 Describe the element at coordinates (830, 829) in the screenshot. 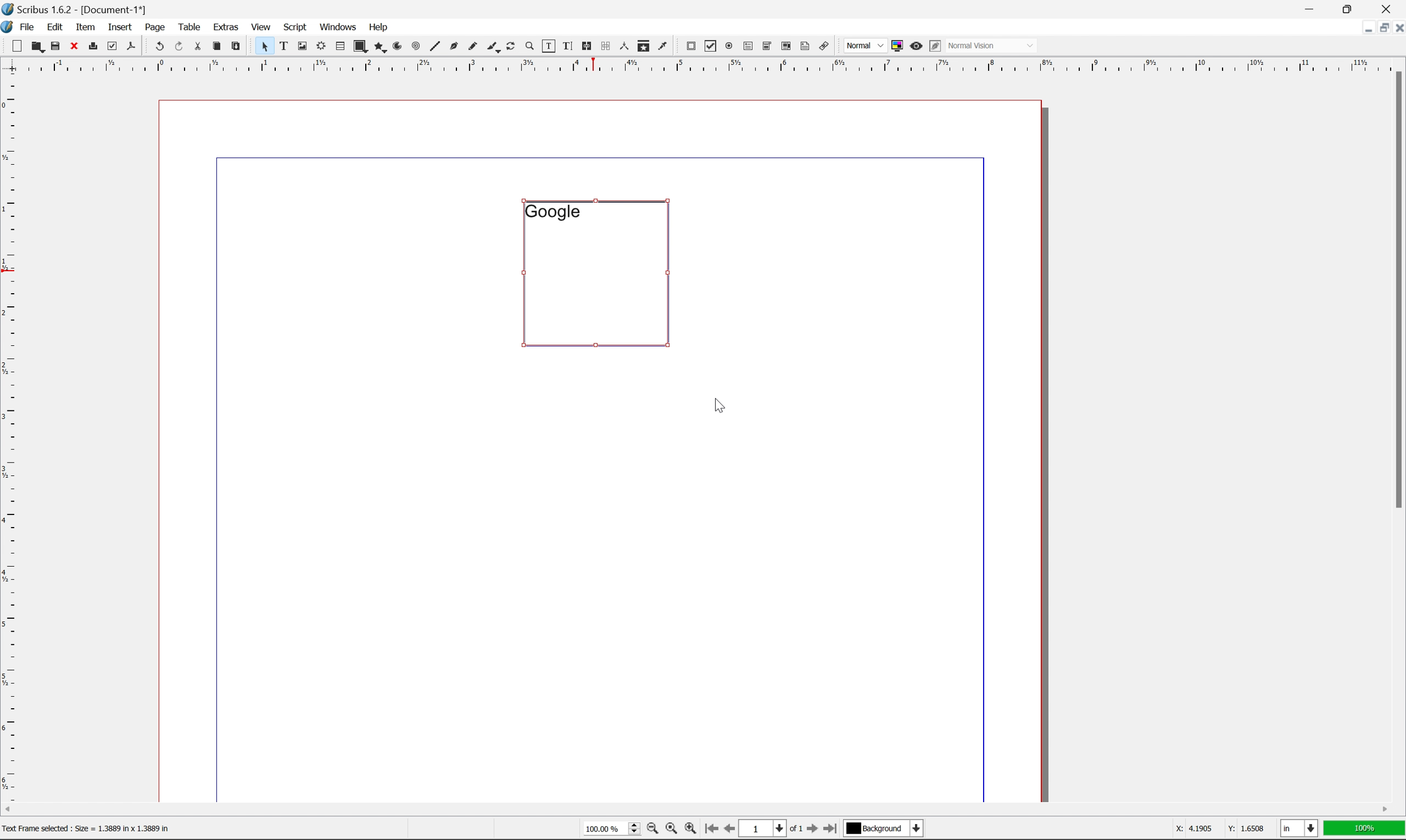

I see `go to last page` at that location.